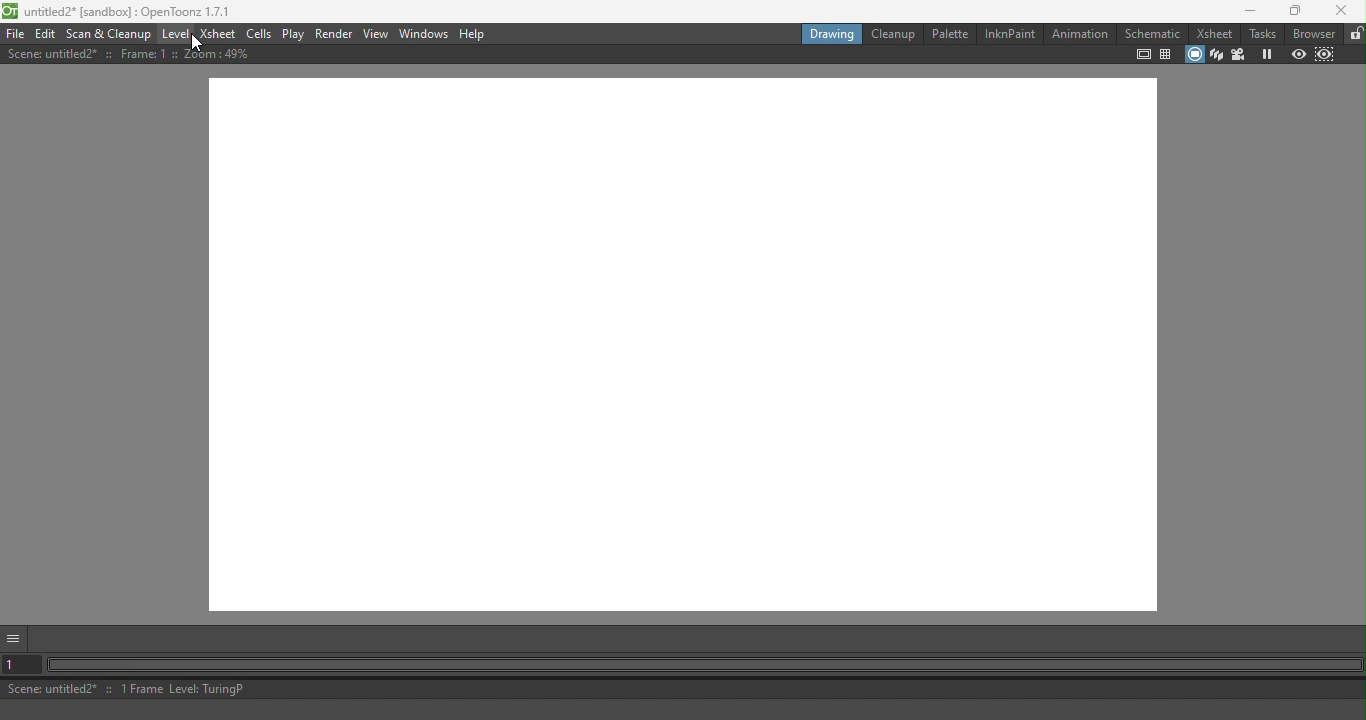 The height and width of the screenshot is (720, 1366). I want to click on Camera view, so click(1241, 55).